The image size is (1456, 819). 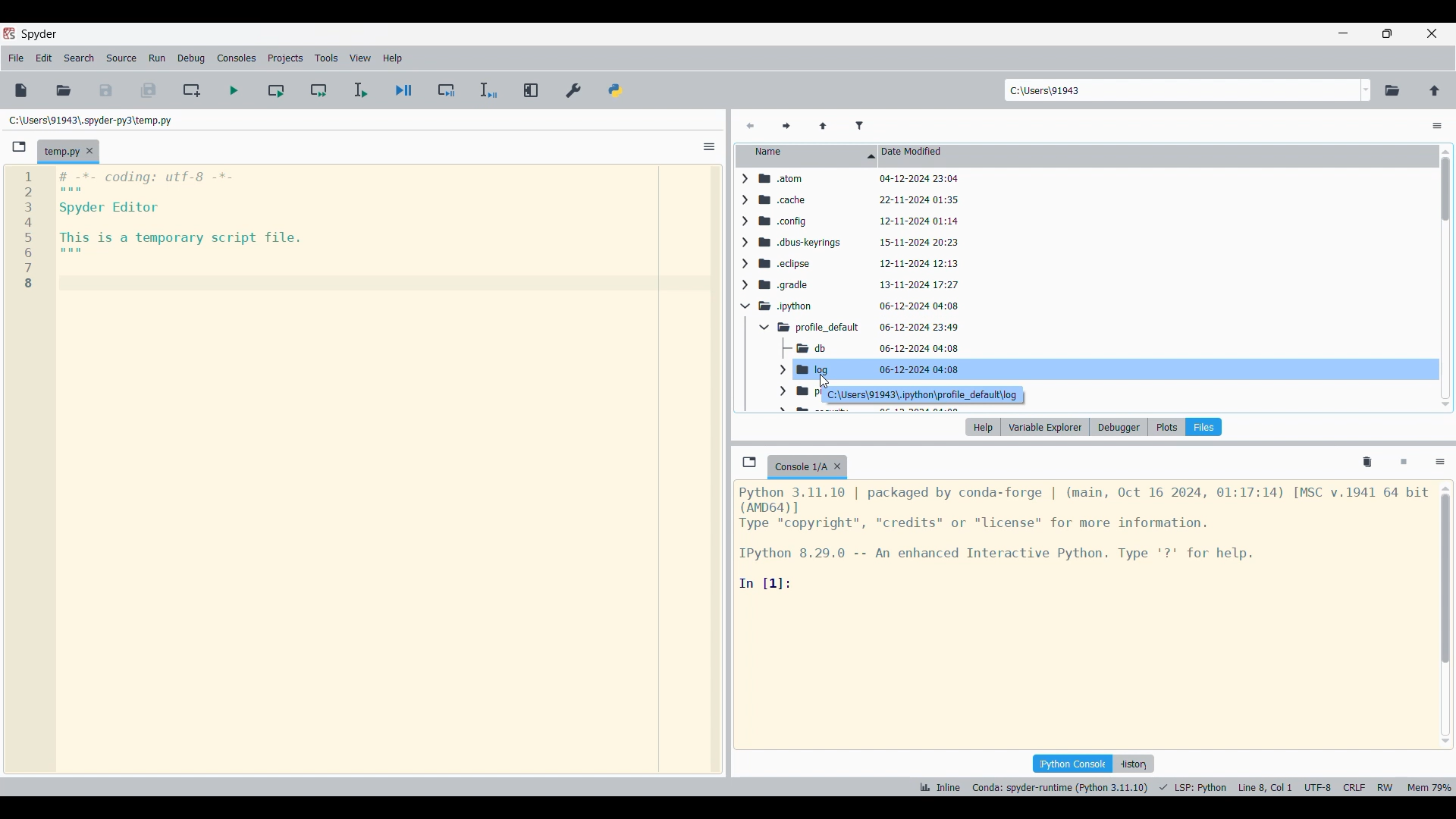 I want to click on Source menu, so click(x=122, y=58).